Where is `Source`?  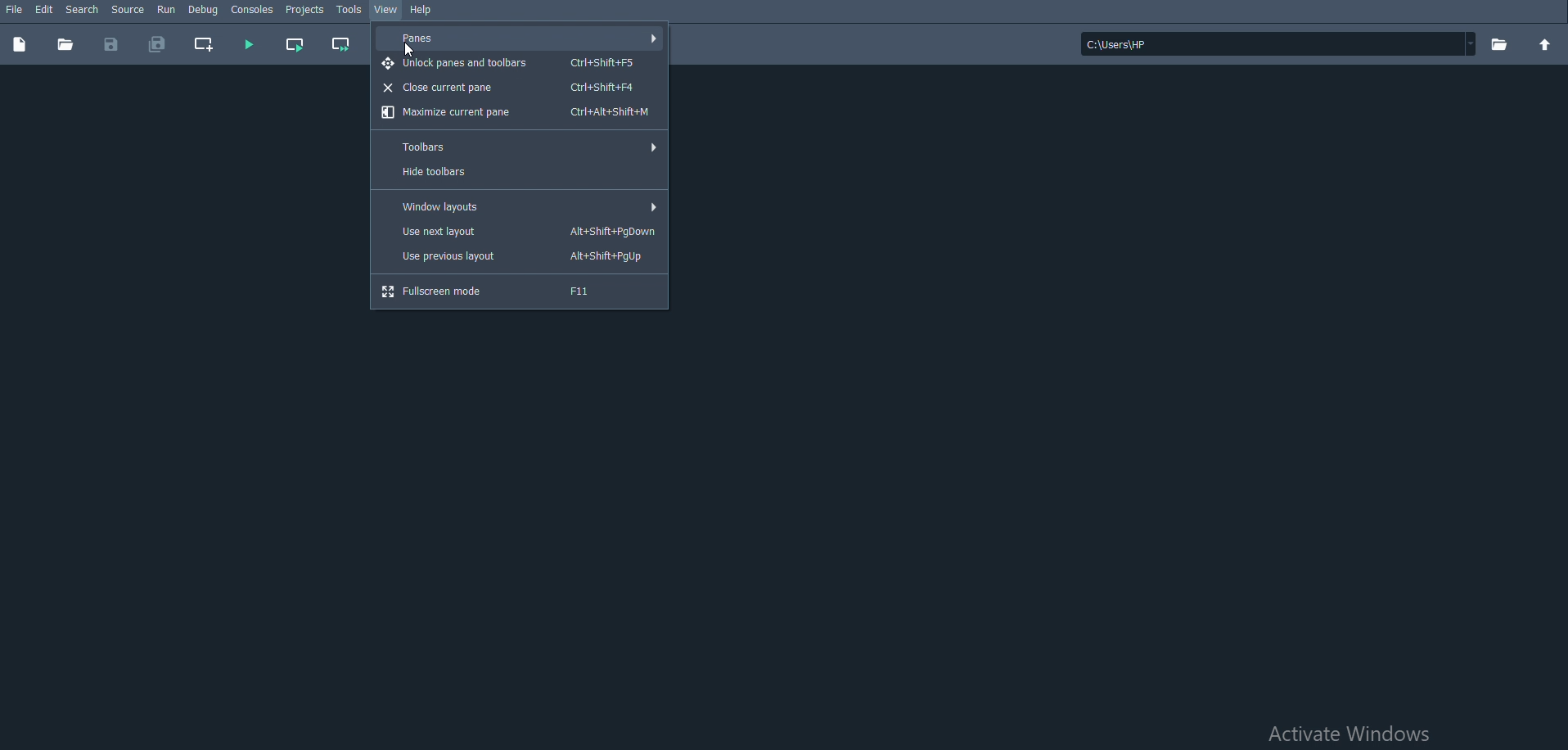
Source is located at coordinates (128, 8).